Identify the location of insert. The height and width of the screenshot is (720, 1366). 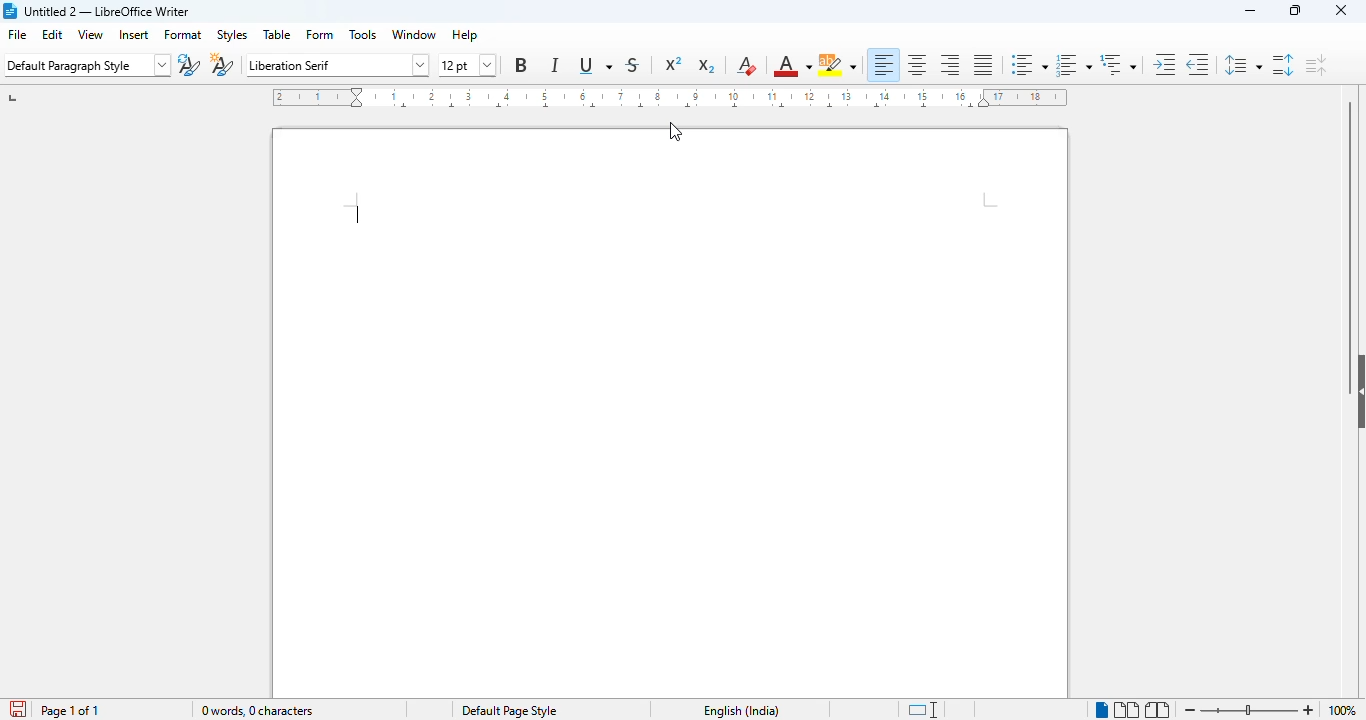
(134, 34).